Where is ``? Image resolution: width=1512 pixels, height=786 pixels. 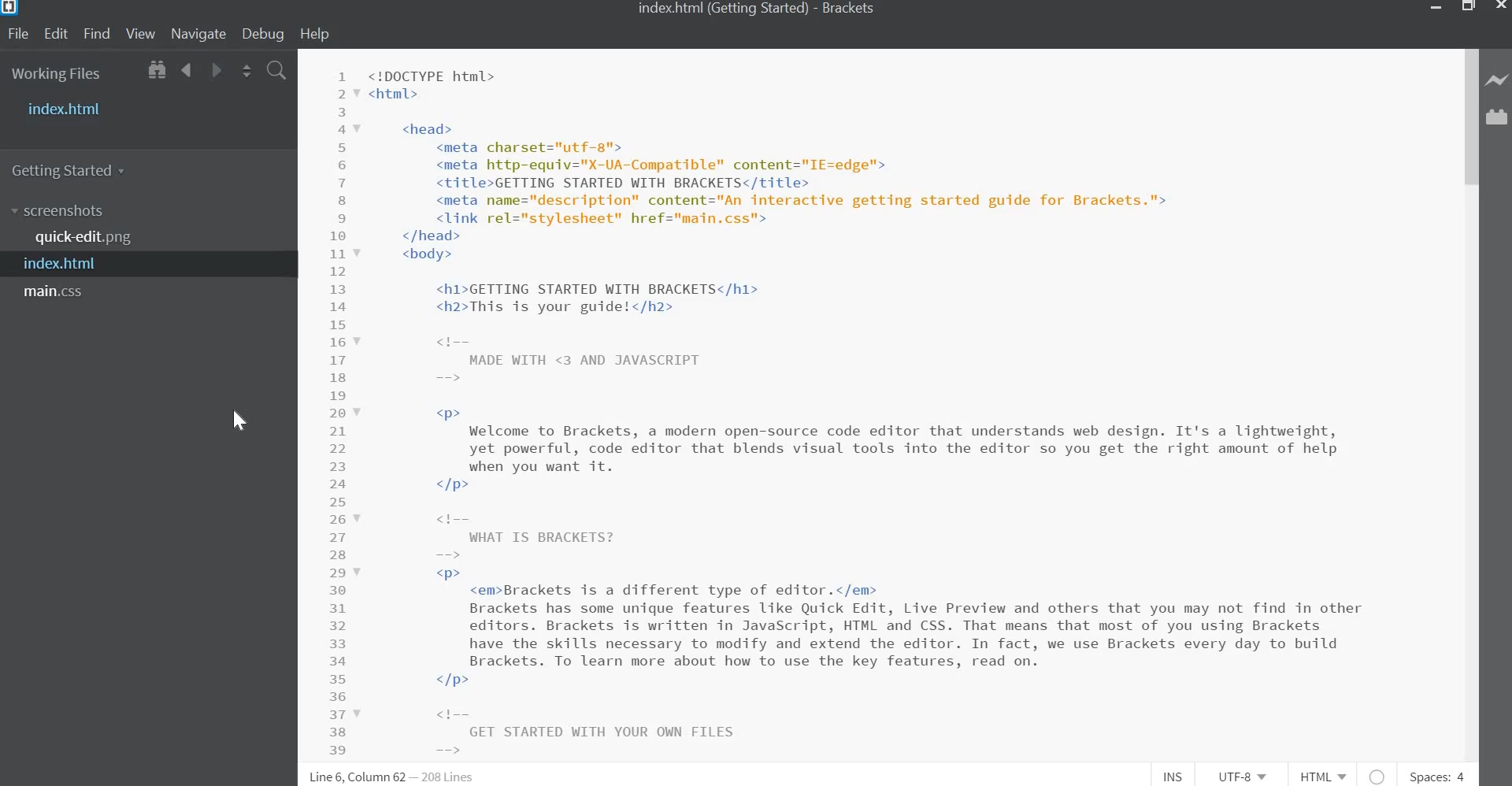
 is located at coordinates (1466, 8).